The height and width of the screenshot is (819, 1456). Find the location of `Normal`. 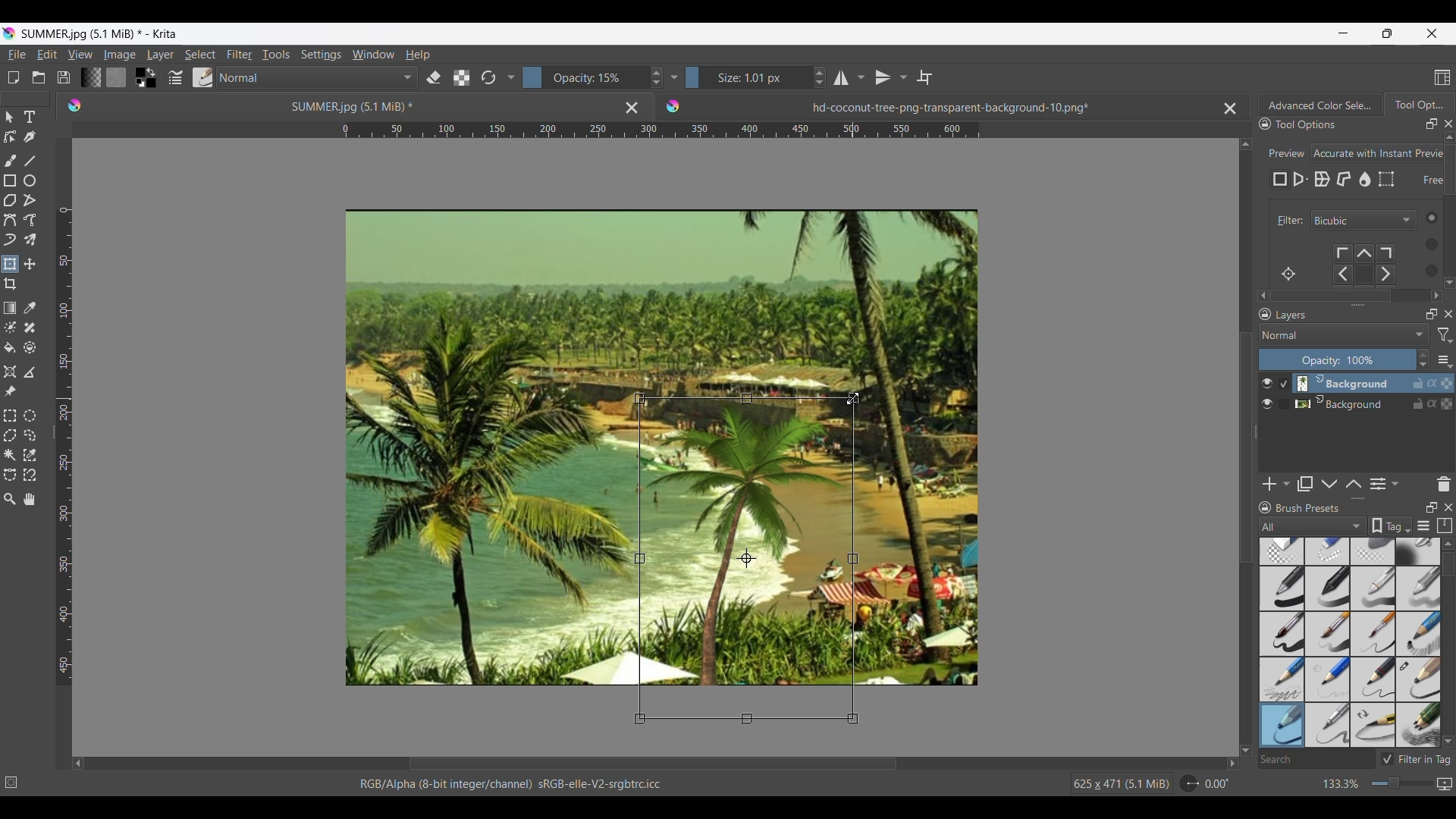

Normal is located at coordinates (317, 77).